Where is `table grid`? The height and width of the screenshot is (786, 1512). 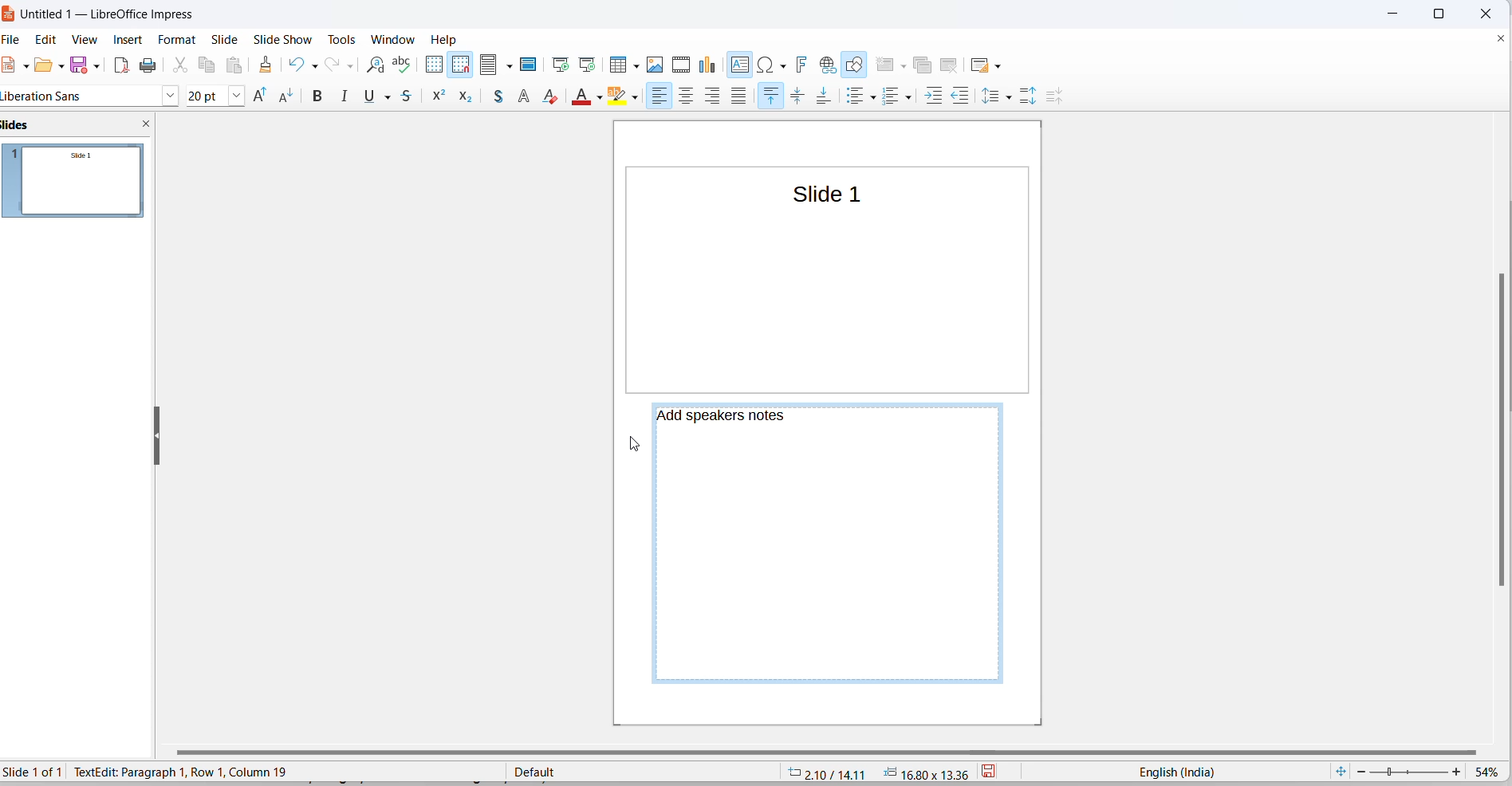
table grid is located at coordinates (635, 68).